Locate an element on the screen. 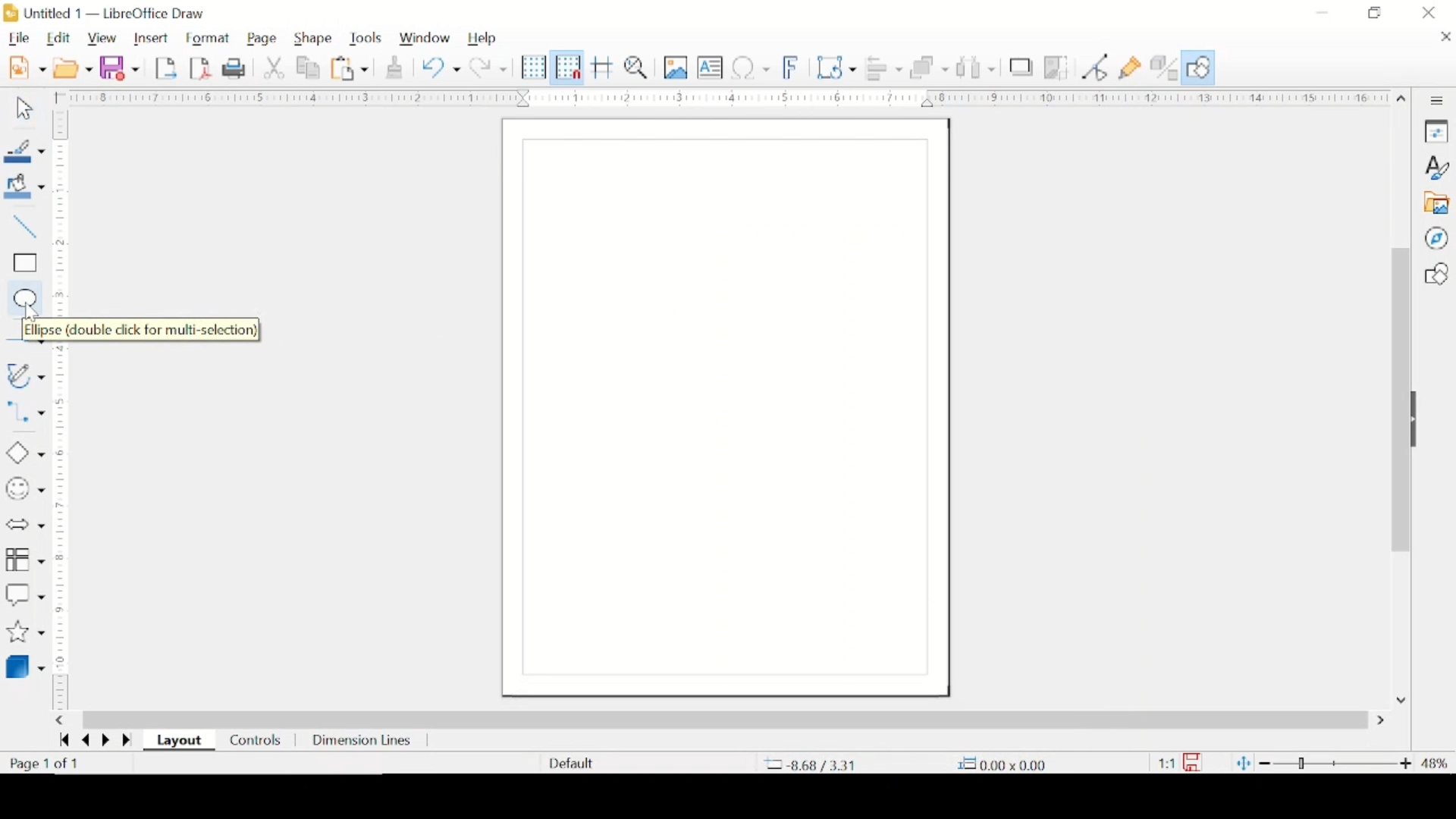 This screenshot has width=1456, height=819. page is located at coordinates (264, 39).